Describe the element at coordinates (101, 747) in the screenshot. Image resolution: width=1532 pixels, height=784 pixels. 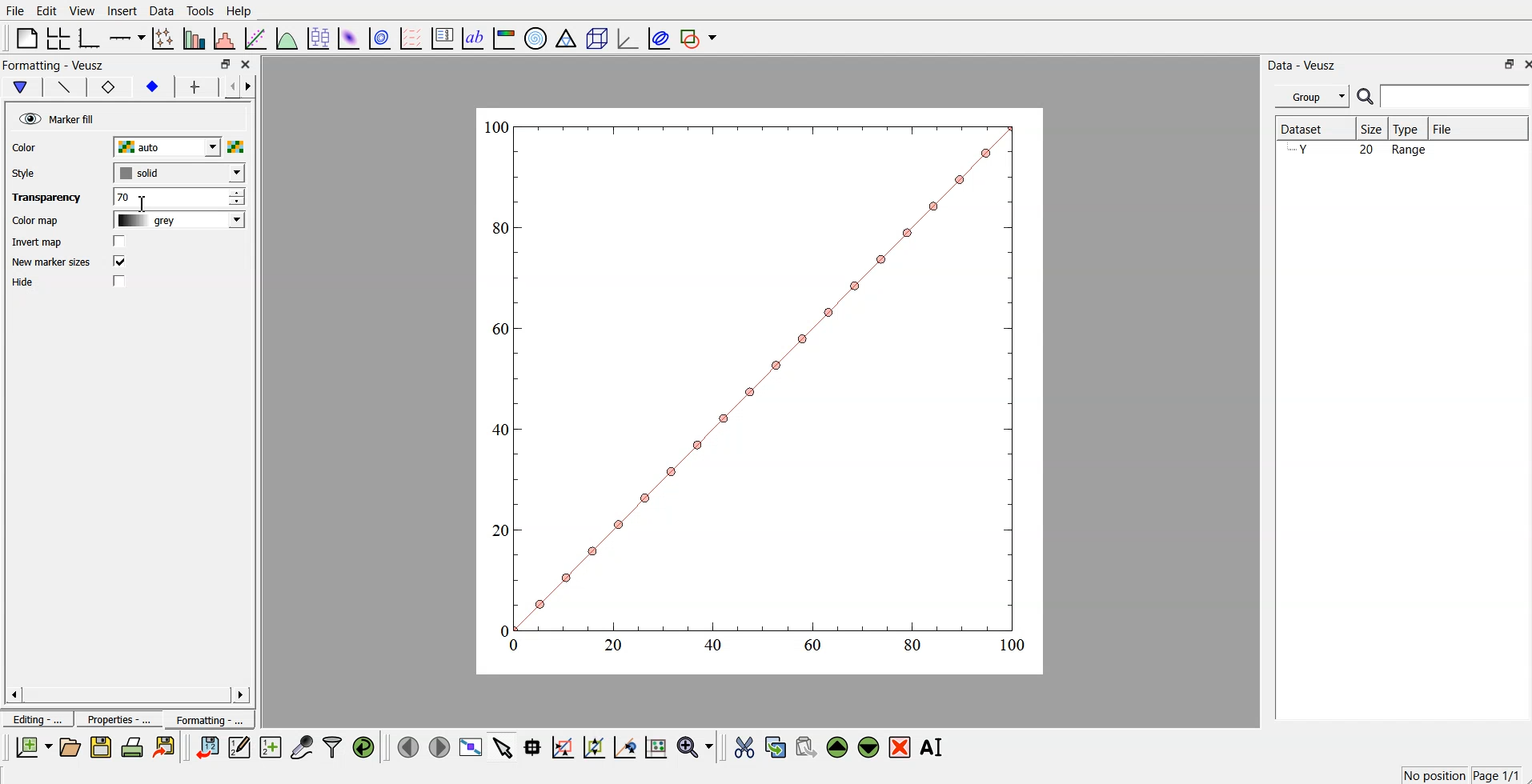
I see `Save` at that location.